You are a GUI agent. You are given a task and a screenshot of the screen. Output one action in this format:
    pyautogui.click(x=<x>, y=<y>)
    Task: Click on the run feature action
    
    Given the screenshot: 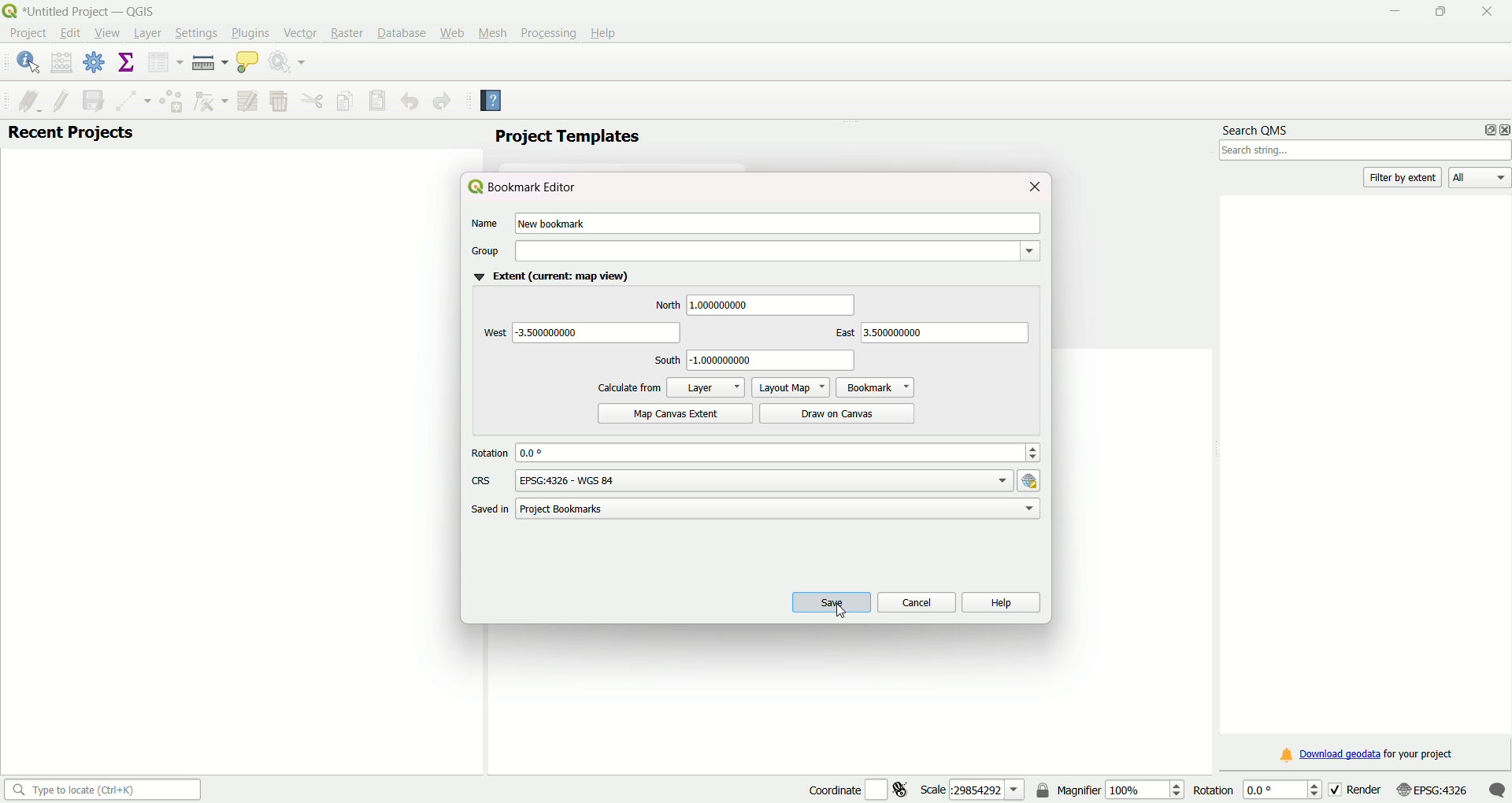 What is the action you would take?
    pyautogui.click(x=290, y=64)
    